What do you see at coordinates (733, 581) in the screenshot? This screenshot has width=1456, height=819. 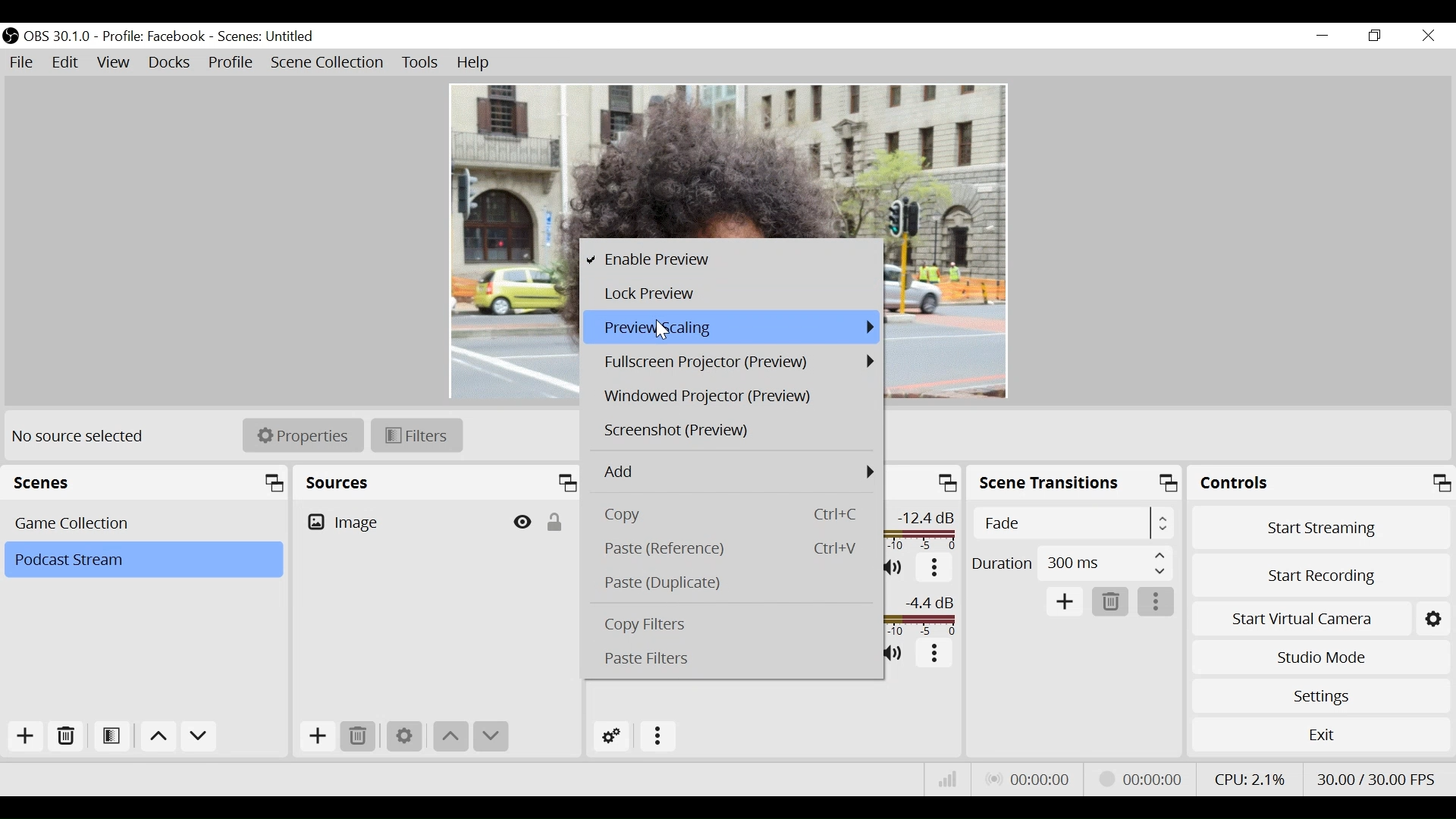 I see `Paste (Duplicate)` at bounding box center [733, 581].